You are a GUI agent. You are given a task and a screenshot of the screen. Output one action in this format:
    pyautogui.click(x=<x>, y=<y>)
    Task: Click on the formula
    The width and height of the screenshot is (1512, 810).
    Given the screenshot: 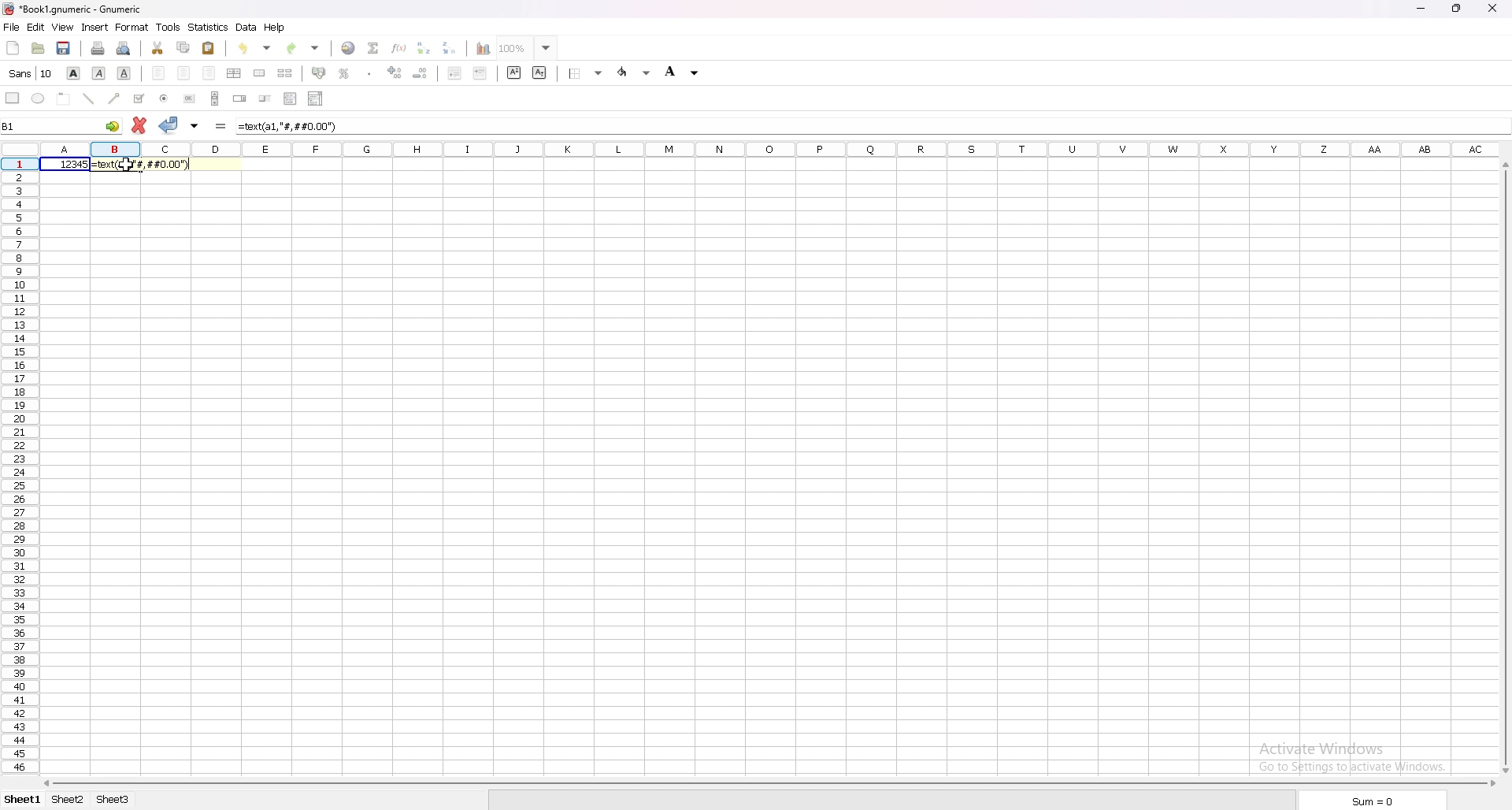 What is the action you would take?
    pyautogui.click(x=145, y=163)
    